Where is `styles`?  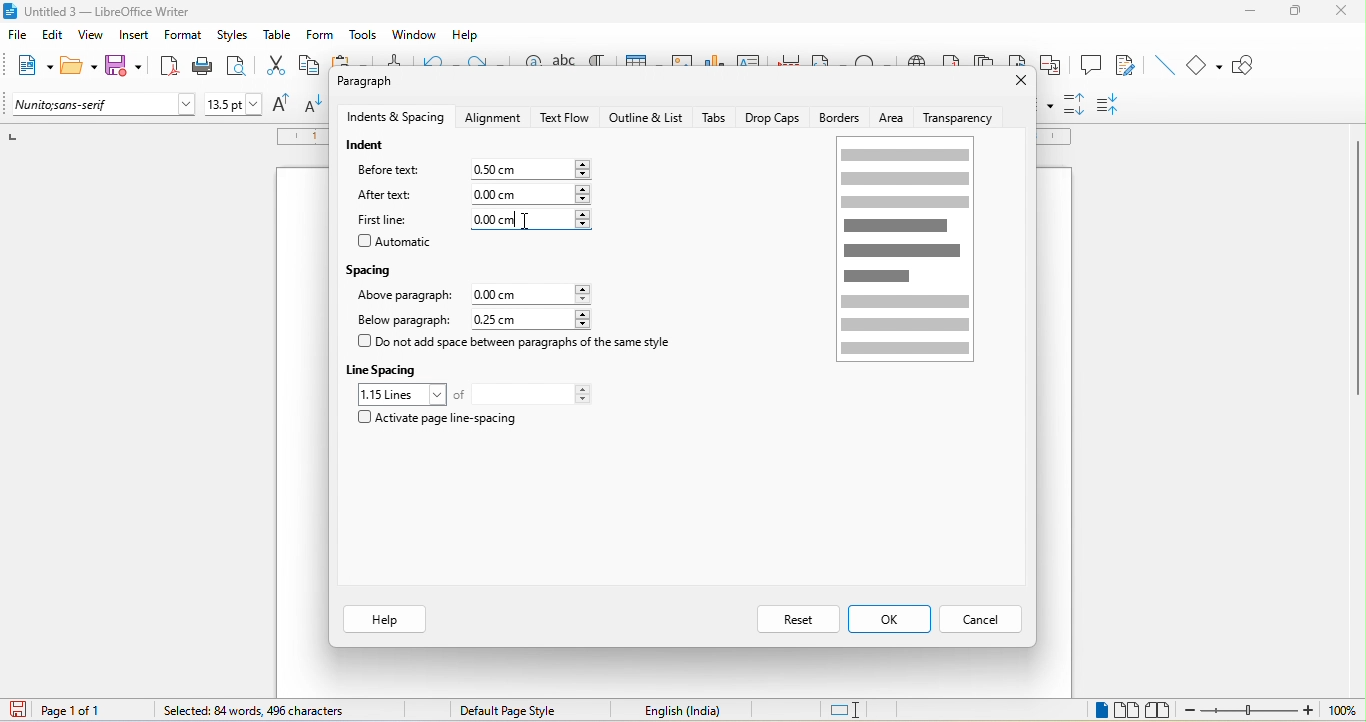
styles is located at coordinates (234, 36).